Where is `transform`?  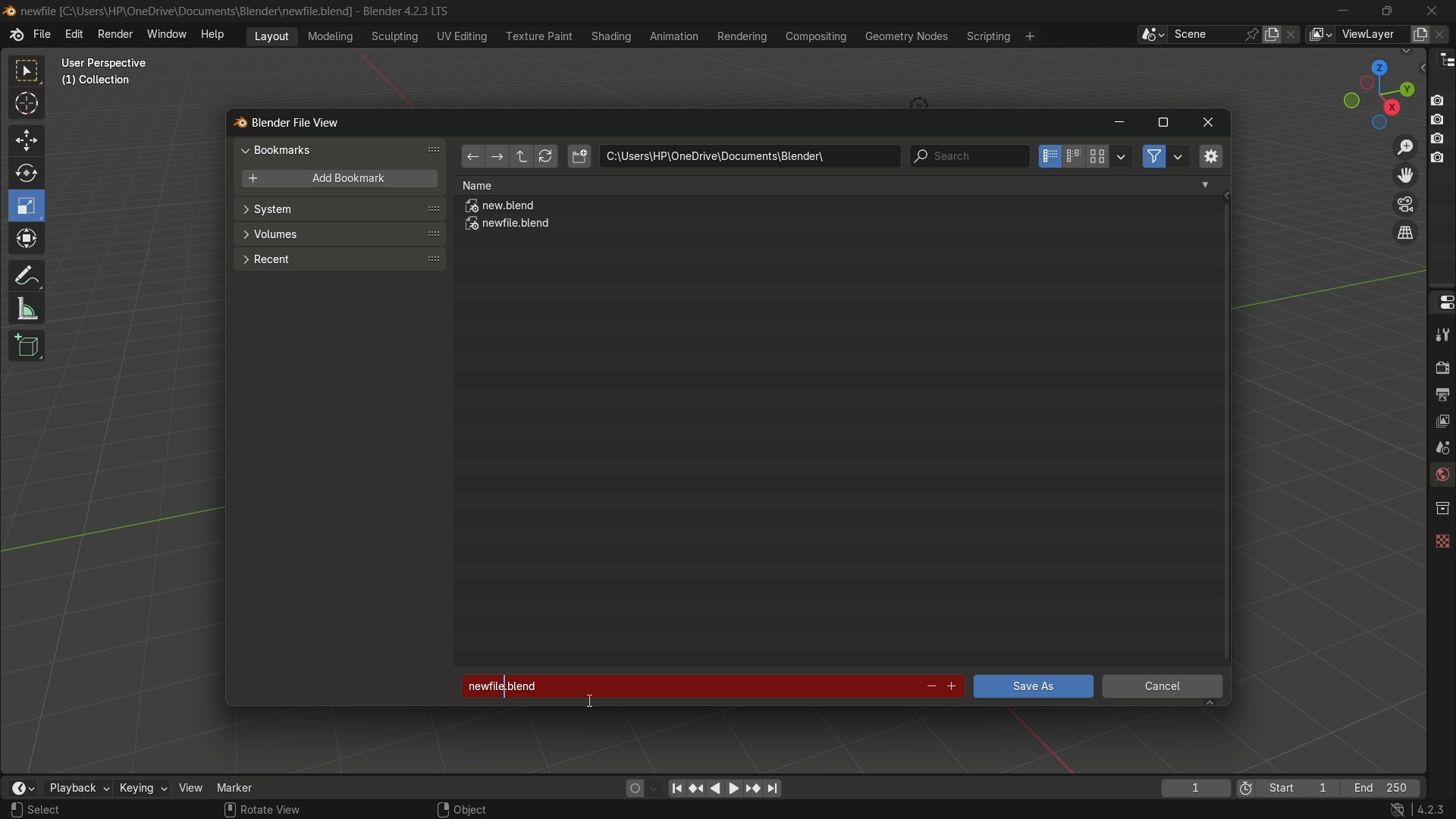 transform is located at coordinates (28, 240).